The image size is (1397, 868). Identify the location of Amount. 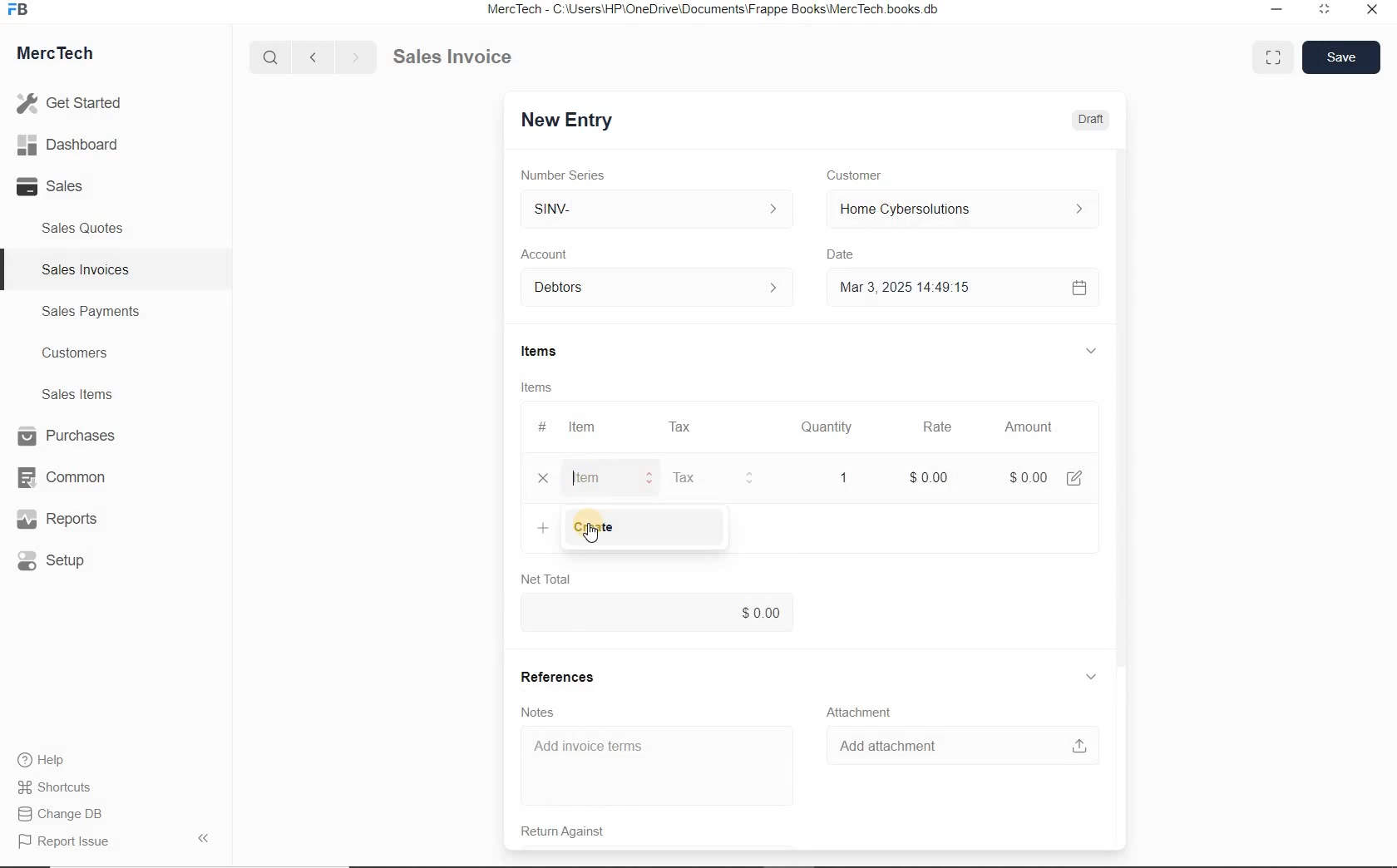
(1028, 428).